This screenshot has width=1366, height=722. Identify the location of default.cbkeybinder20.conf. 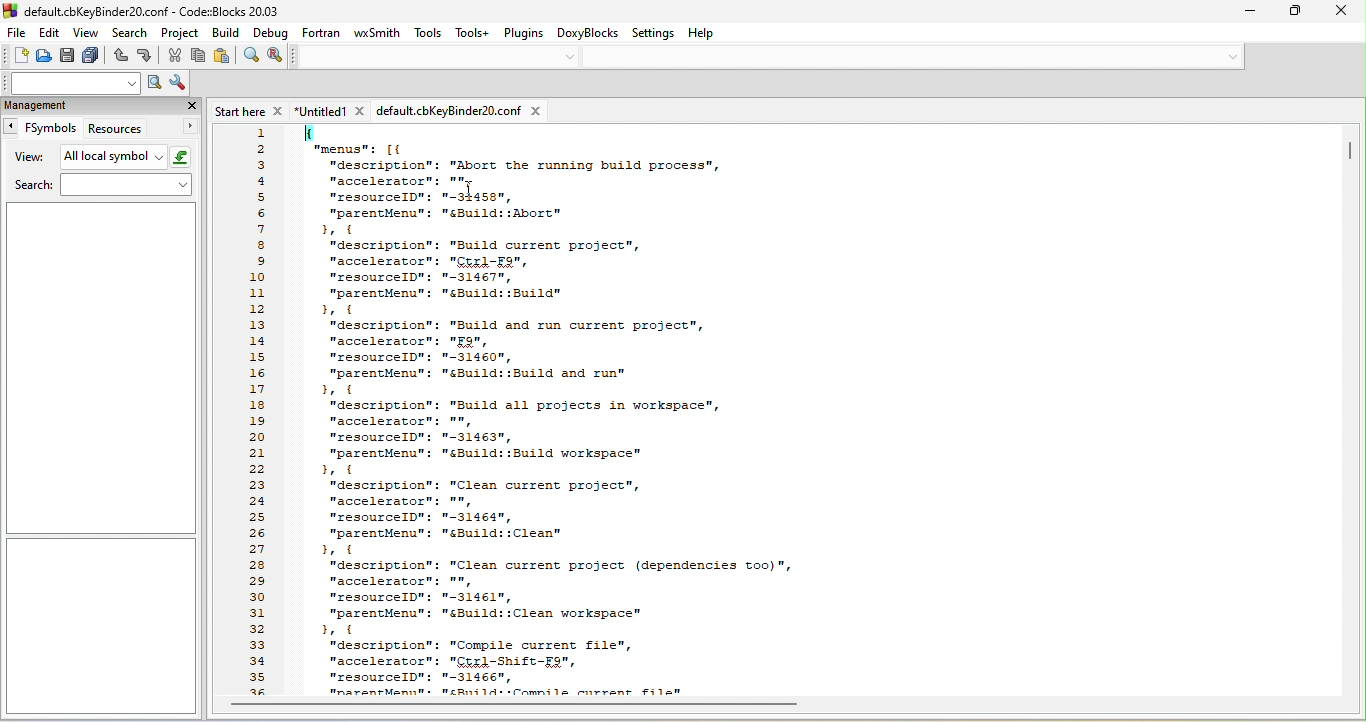
(459, 110).